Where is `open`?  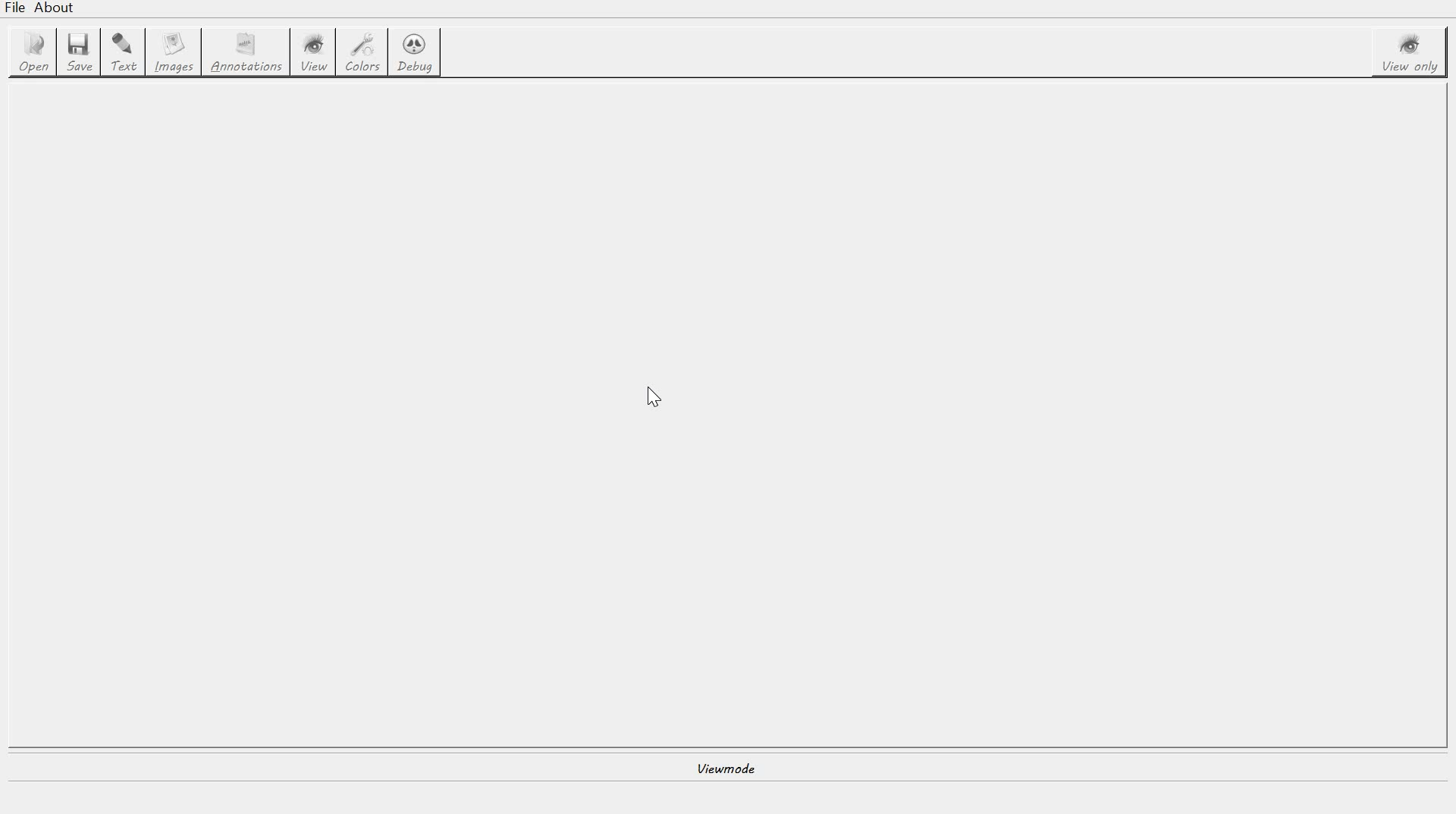 open is located at coordinates (30, 53).